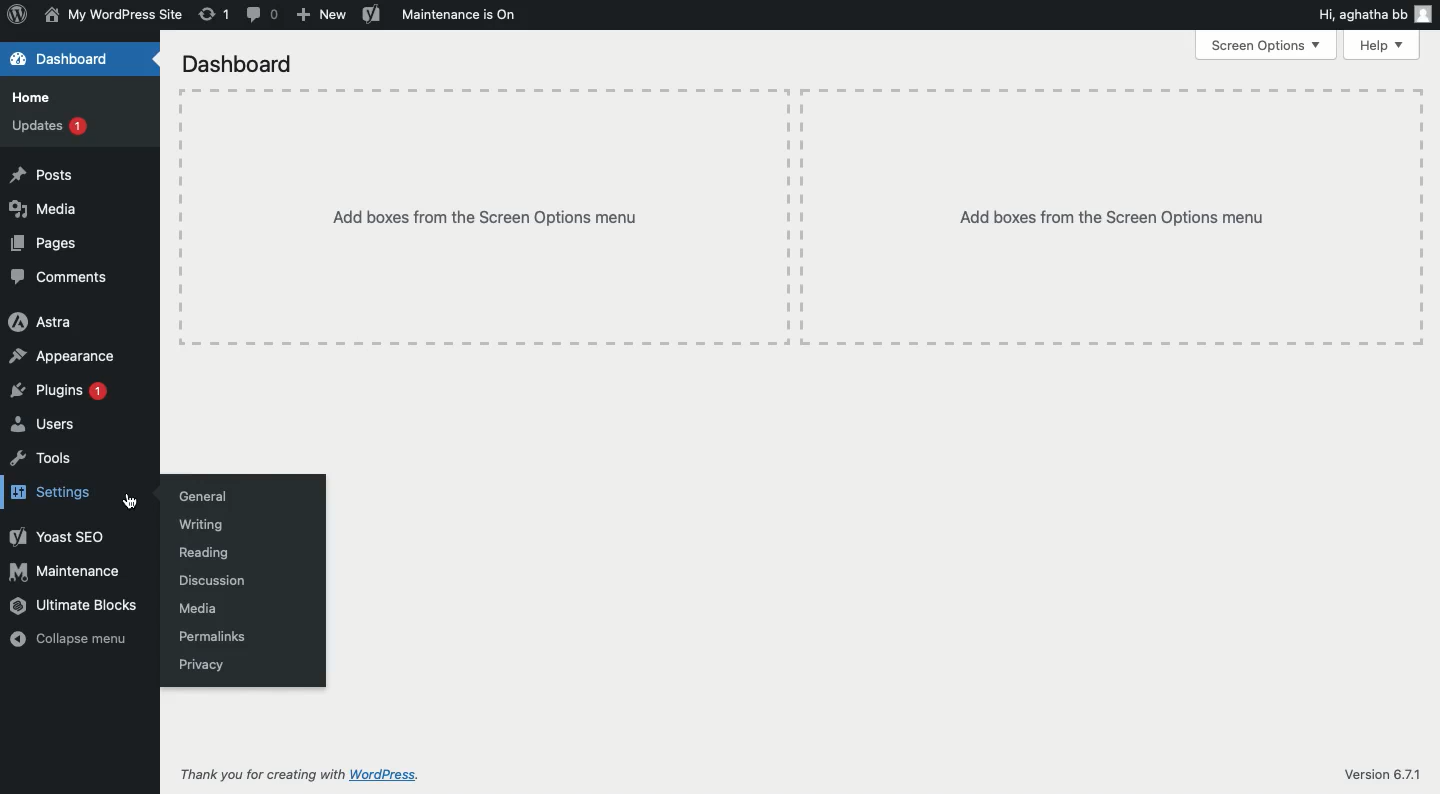  Describe the element at coordinates (241, 66) in the screenshot. I see `Dashboard` at that location.